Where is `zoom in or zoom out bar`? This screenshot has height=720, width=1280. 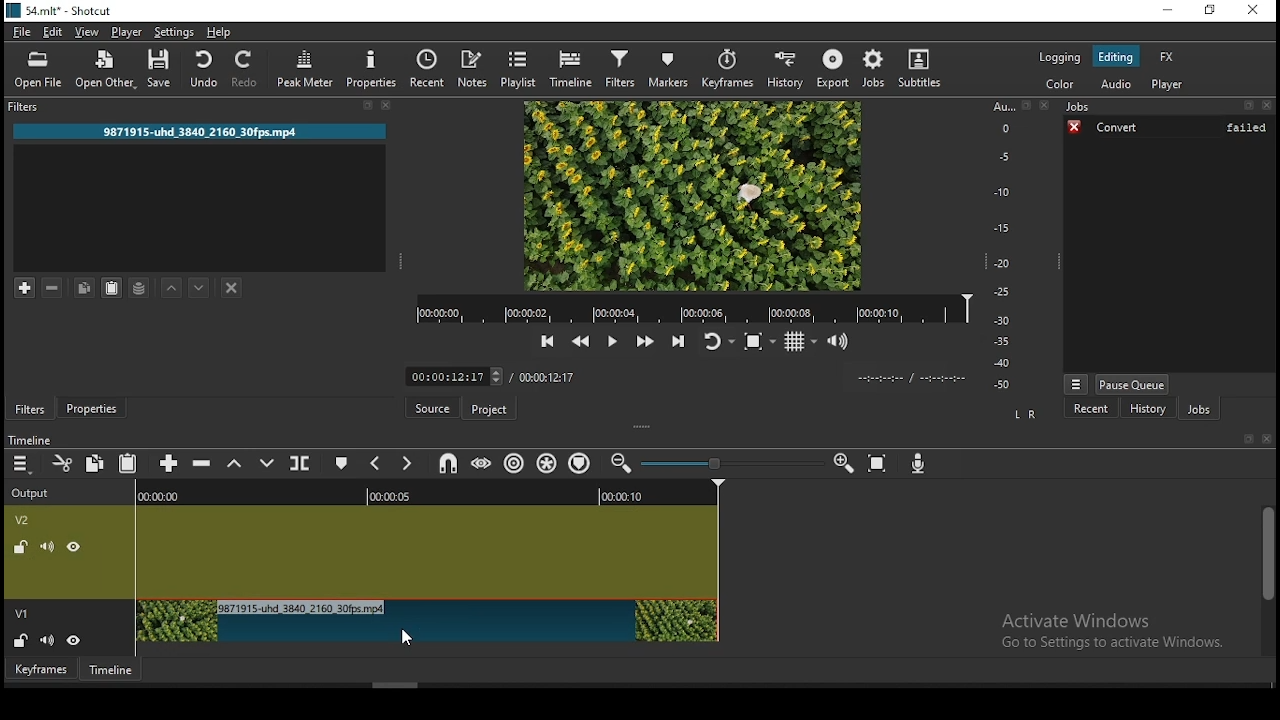 zoom in or zoom out bar is located at coordinates (729, 465).